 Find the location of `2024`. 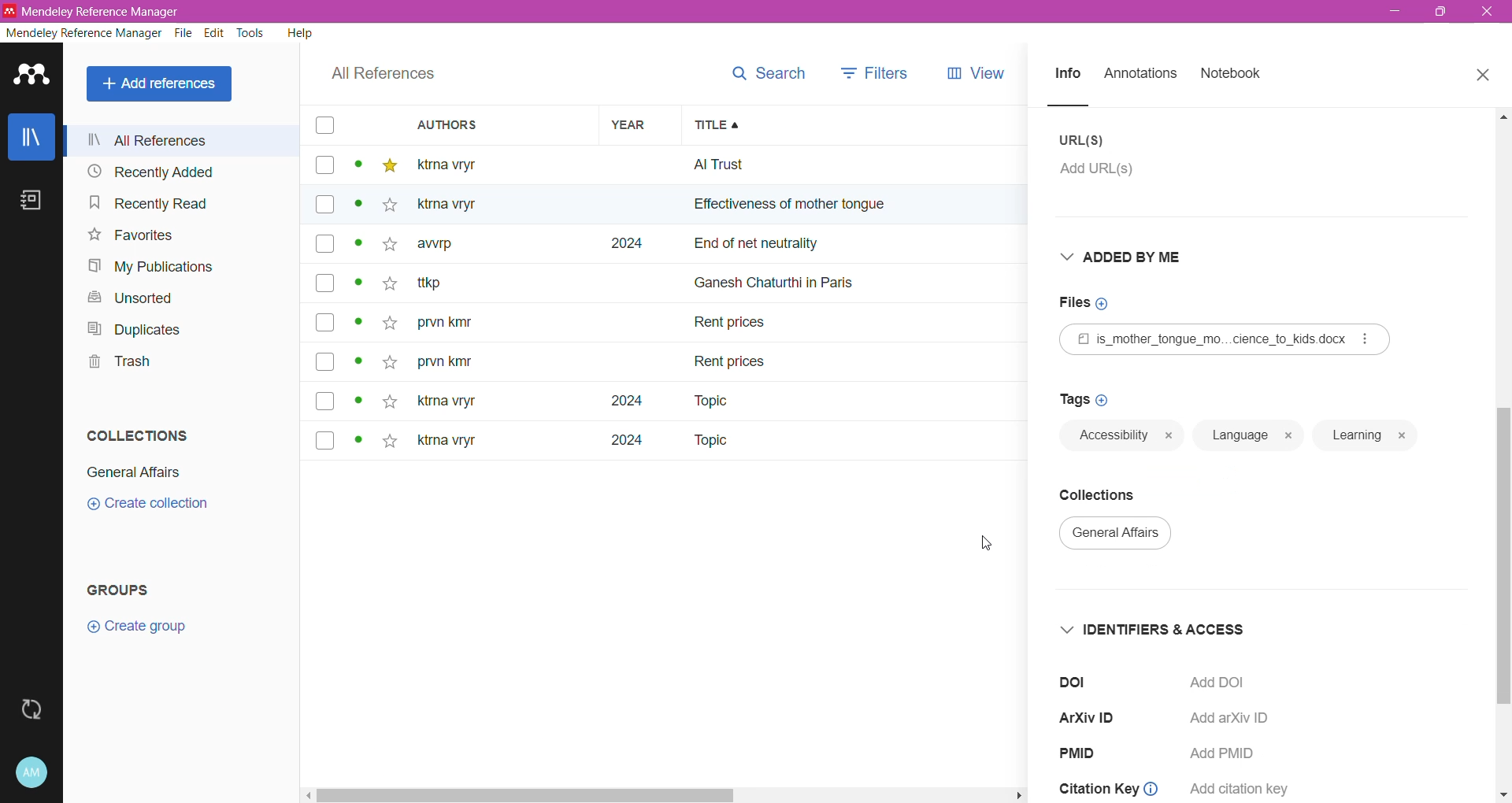

2024 is located at coordinates (623, 244).